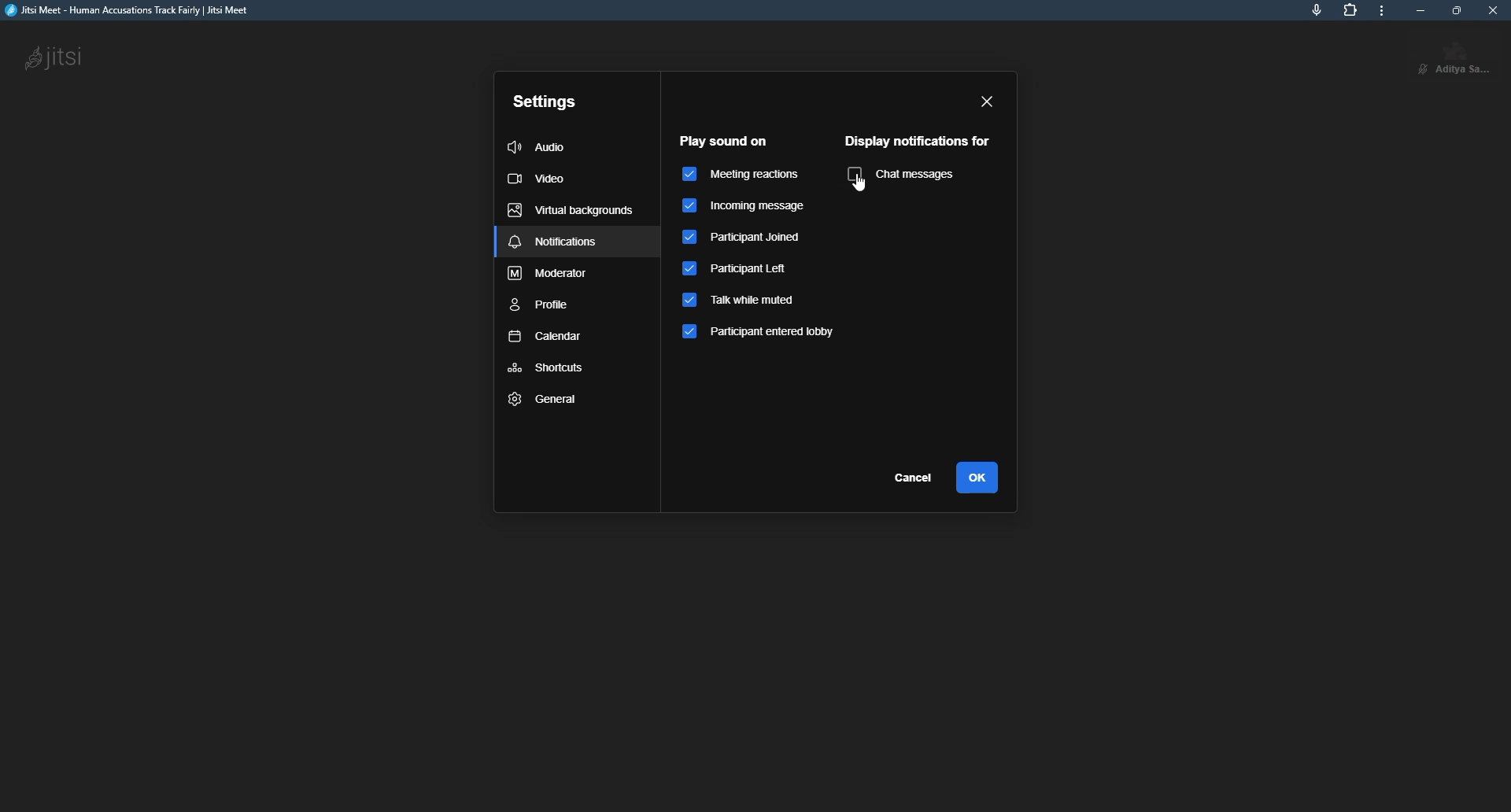  Describe the element at coordinates (1420, 10) in the screenshot. I see `minimize` at that location.